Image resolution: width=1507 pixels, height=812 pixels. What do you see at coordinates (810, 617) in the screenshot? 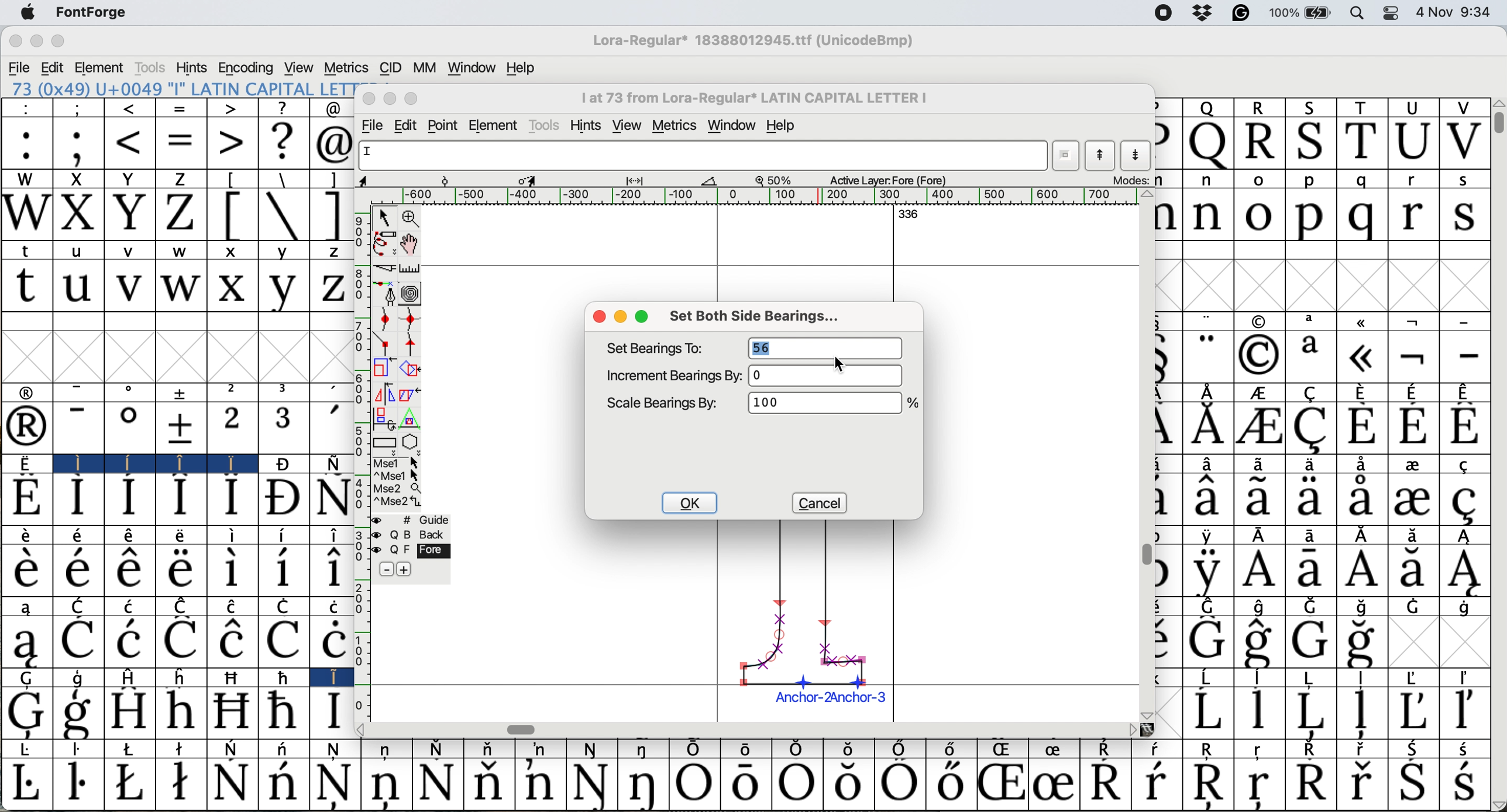
I see `chosen glyph` at bounding box center [810, 617].